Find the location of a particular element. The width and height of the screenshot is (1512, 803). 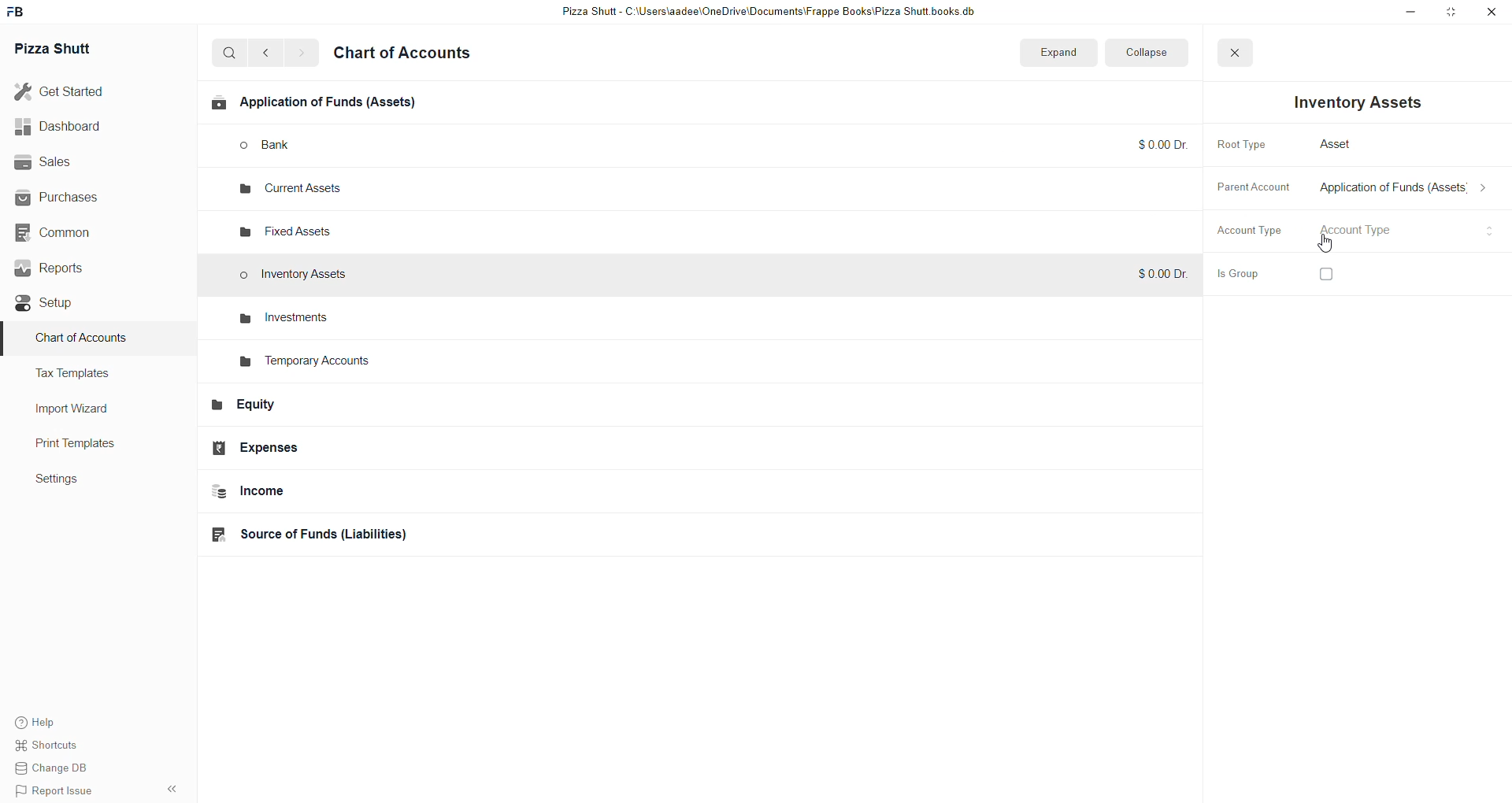

$0.00 Dr. is located at coordinates (1155, 145).